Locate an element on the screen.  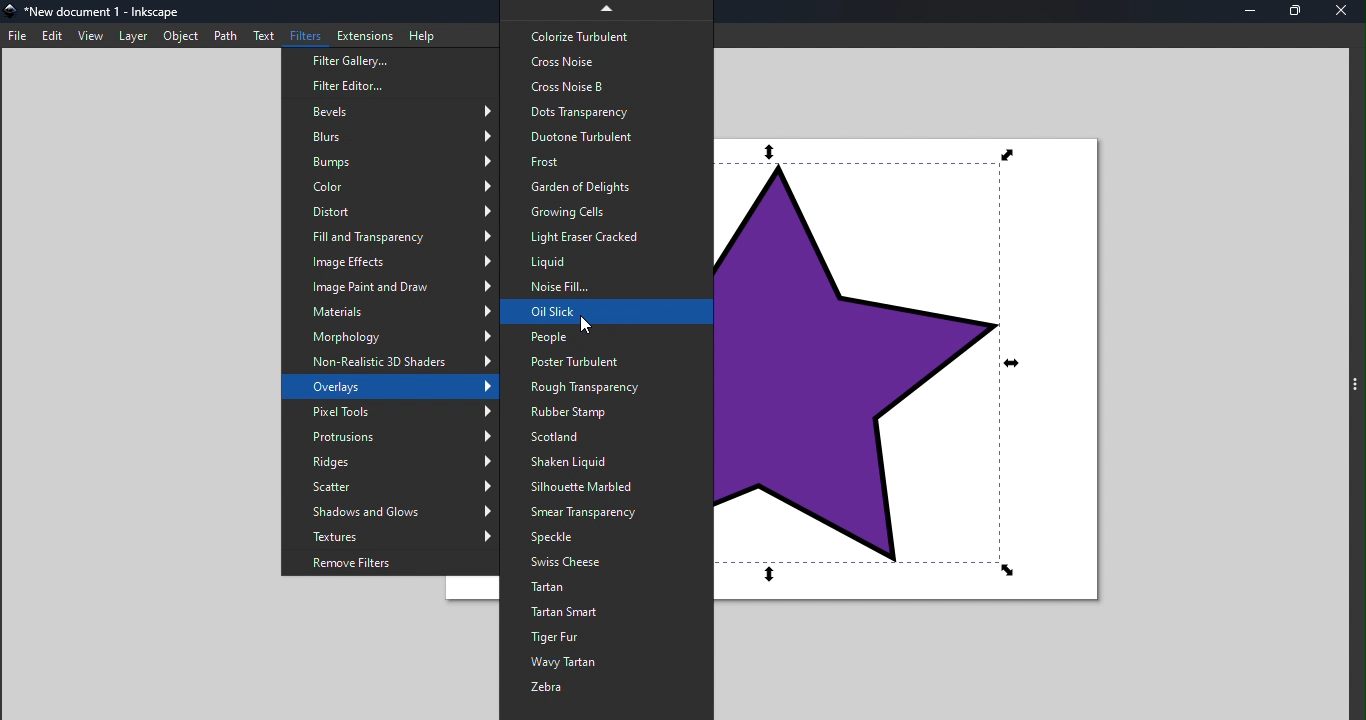
Filter is located at coordinates (303, 36).